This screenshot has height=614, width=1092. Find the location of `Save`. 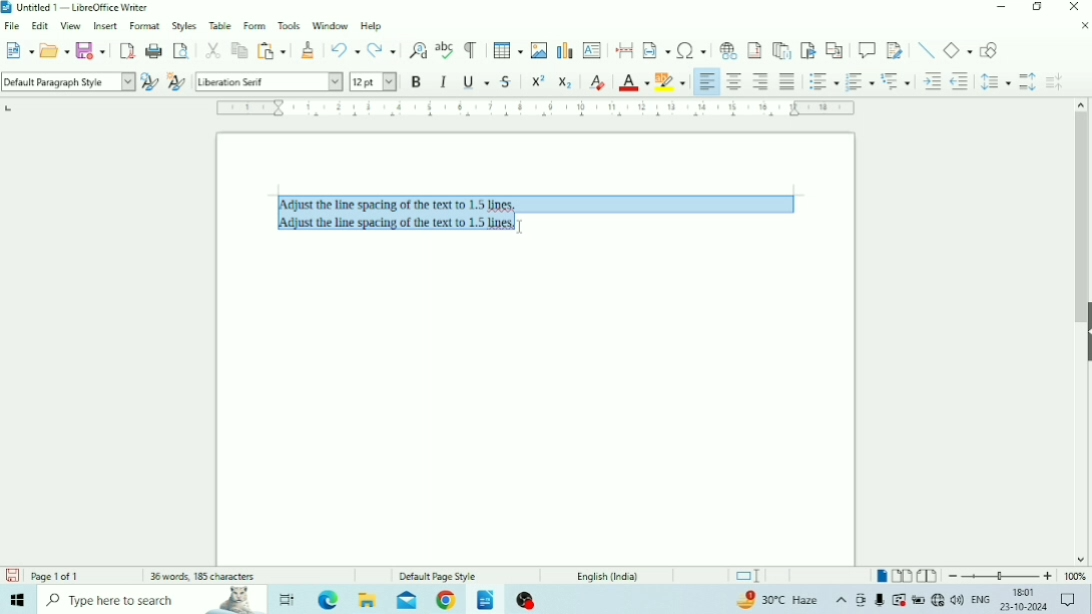

Save is located at coordinates (92, 51).